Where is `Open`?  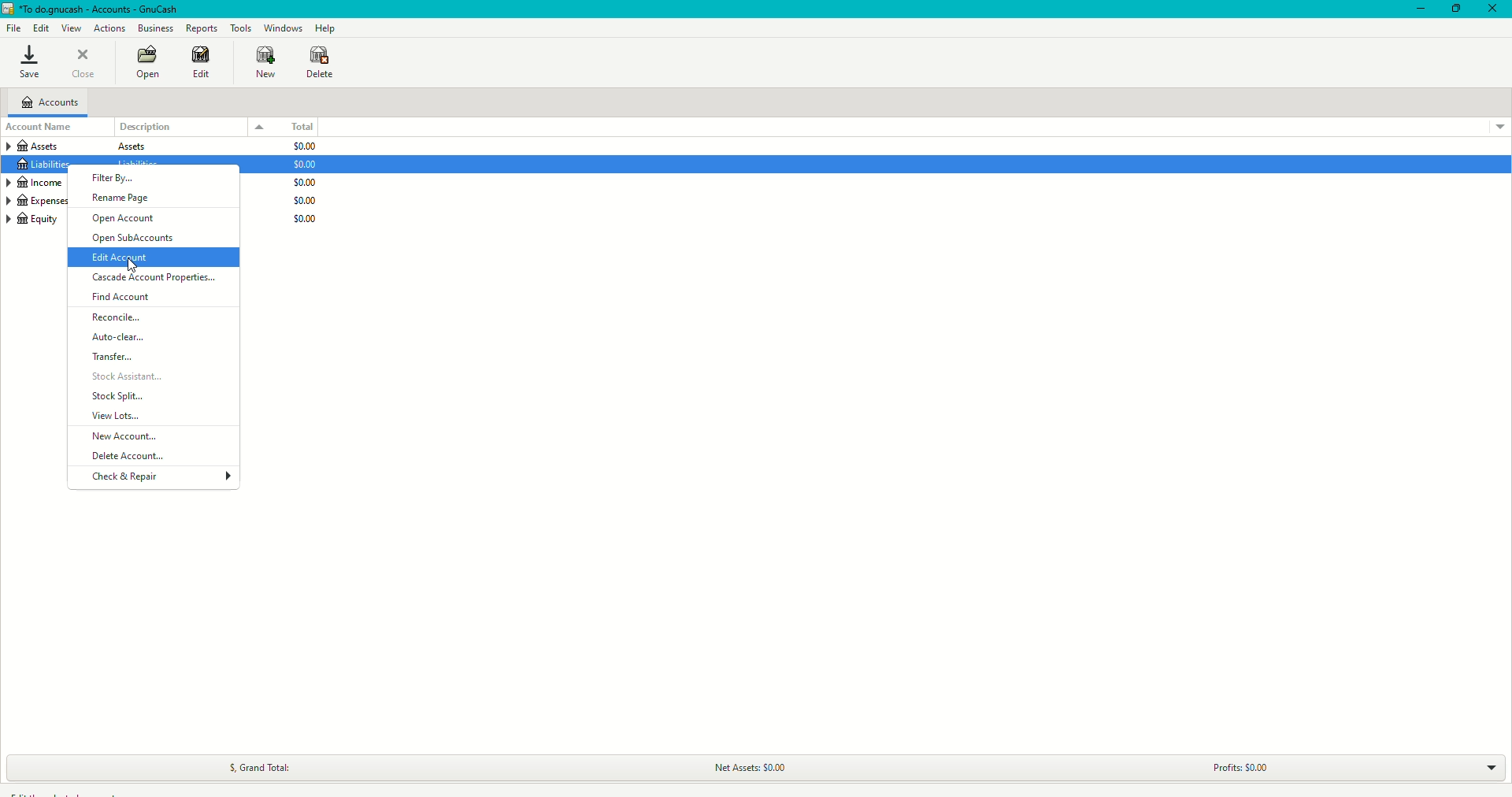 Open is located at coordinates (146, 63).